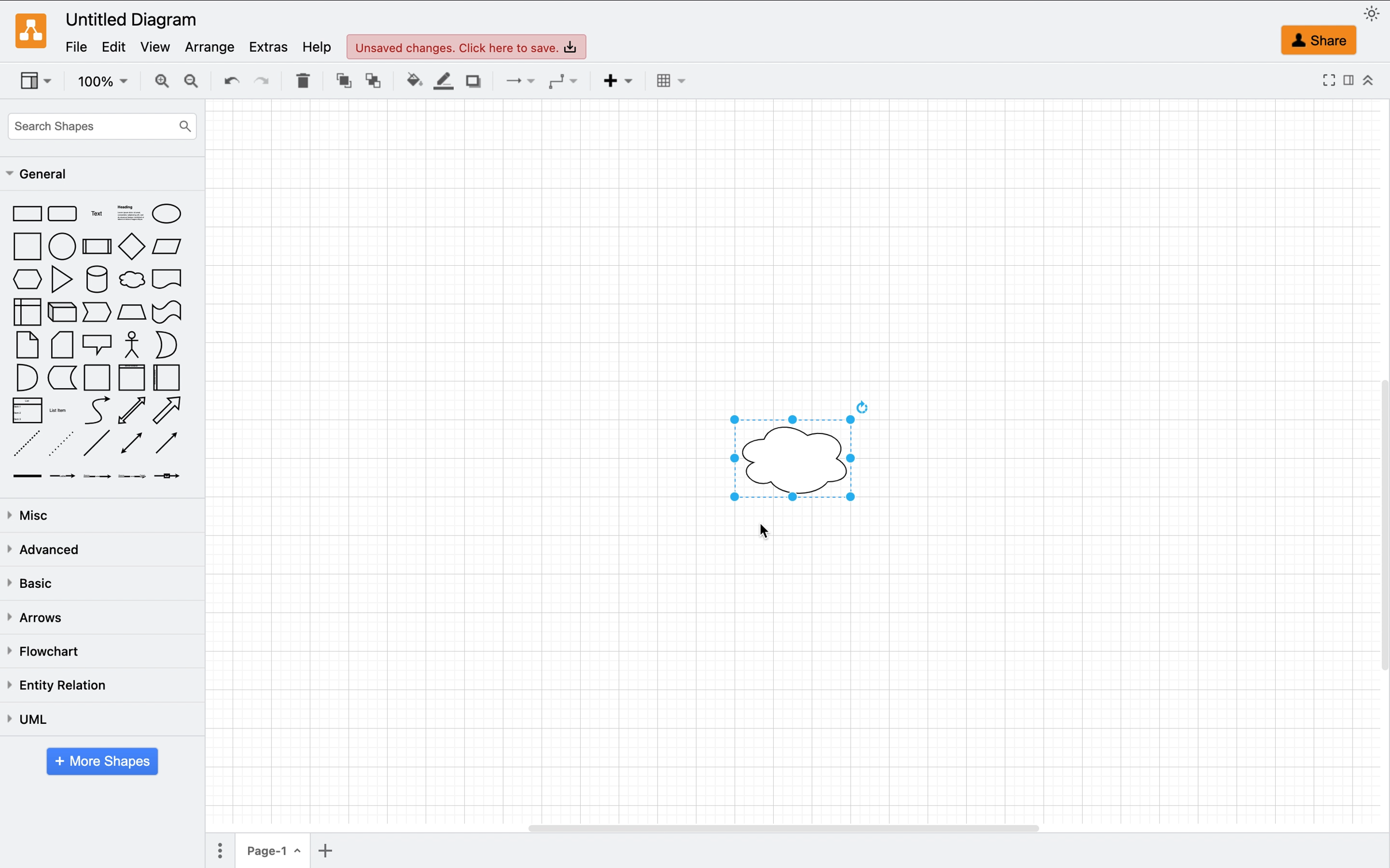  I want to click on add page, so click(338, 854).